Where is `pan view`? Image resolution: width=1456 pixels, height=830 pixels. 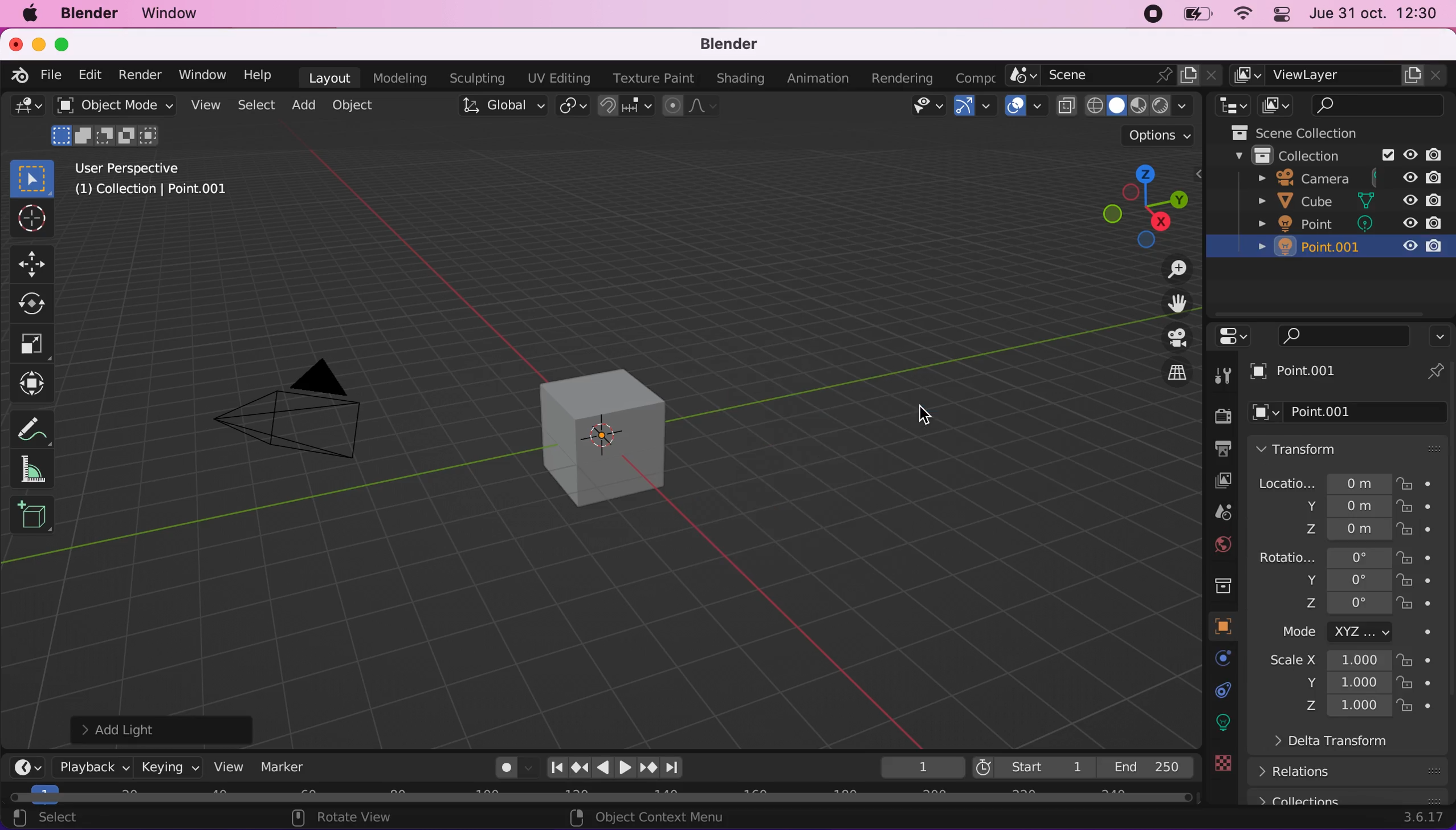
pan view is located at coordinates (331, 818).